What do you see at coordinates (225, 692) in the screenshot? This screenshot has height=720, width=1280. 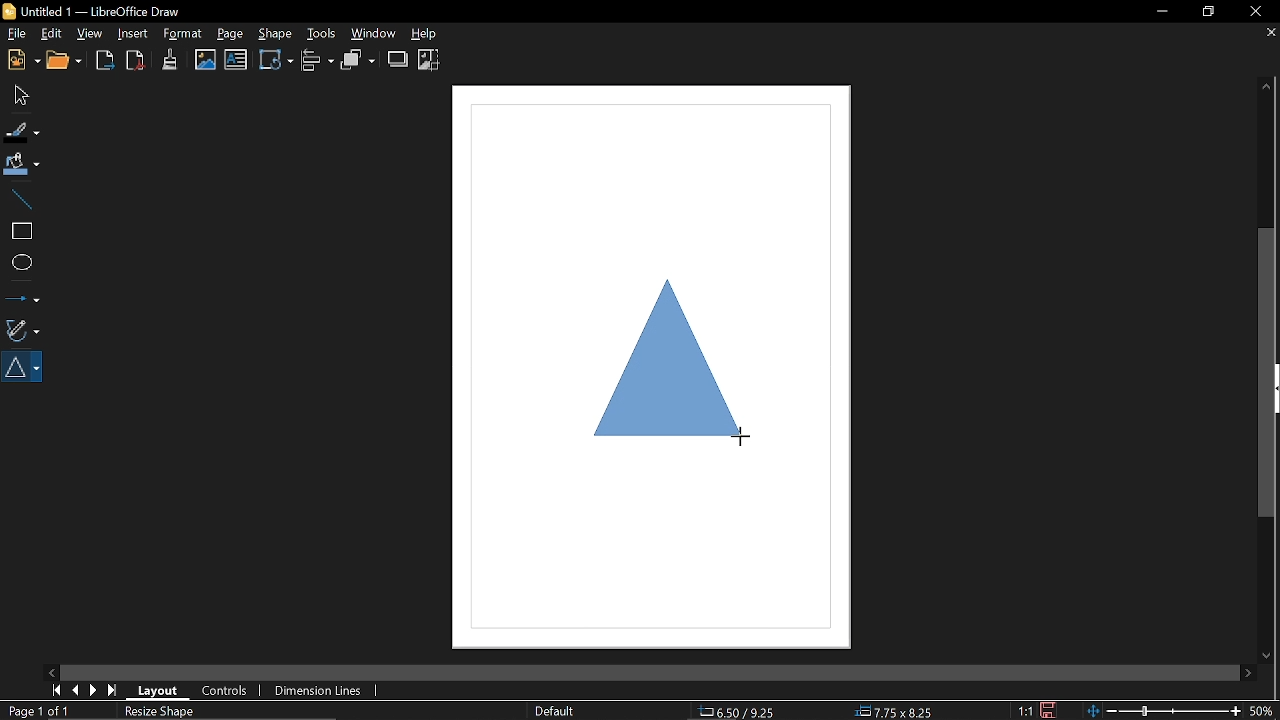 I see `Controls` at bounding box center [225, 692].